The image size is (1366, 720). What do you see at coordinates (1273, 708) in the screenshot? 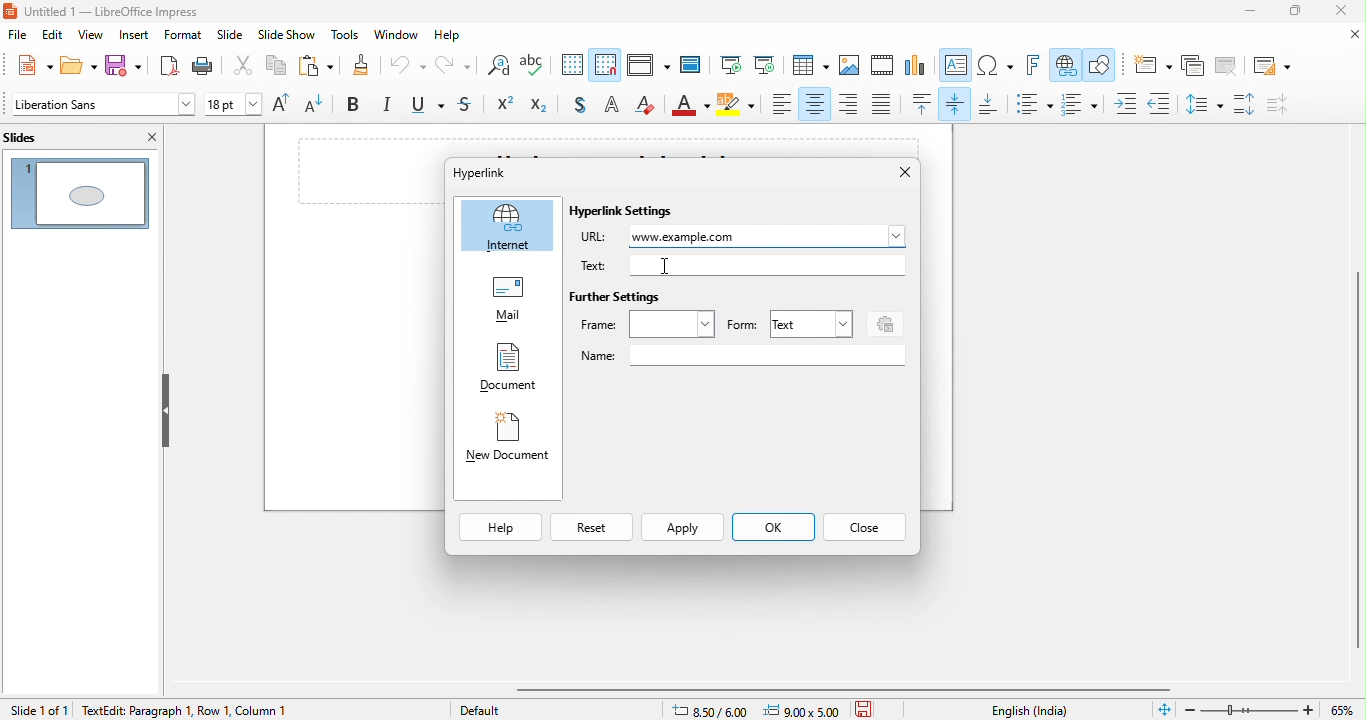
I see `zoom` at bounding box center [1273, 708].